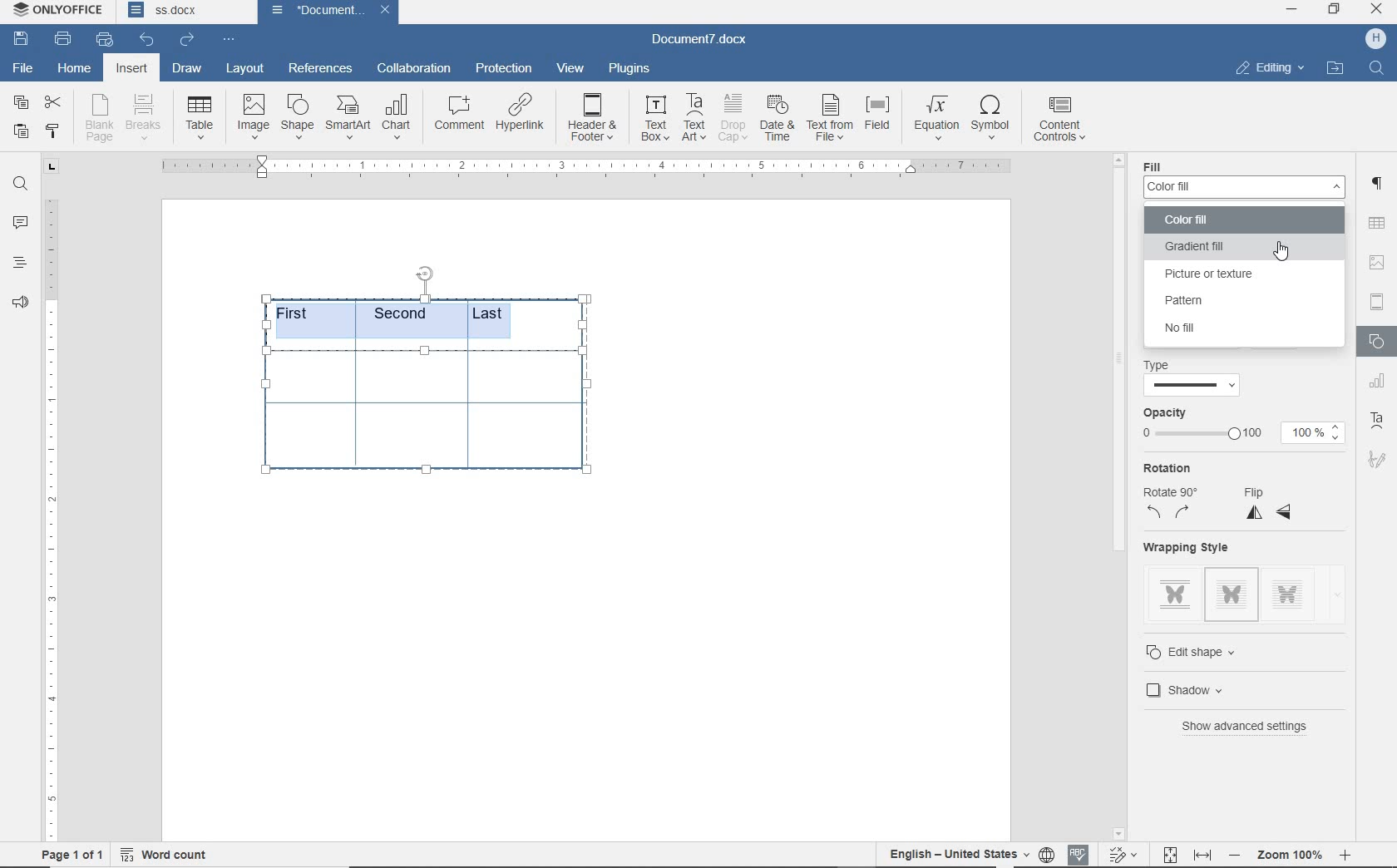 The image size is (1397, 868). Describe the element at coordinates (1293, 9) in the screenshot. I see `MINIMIZE` at that location.